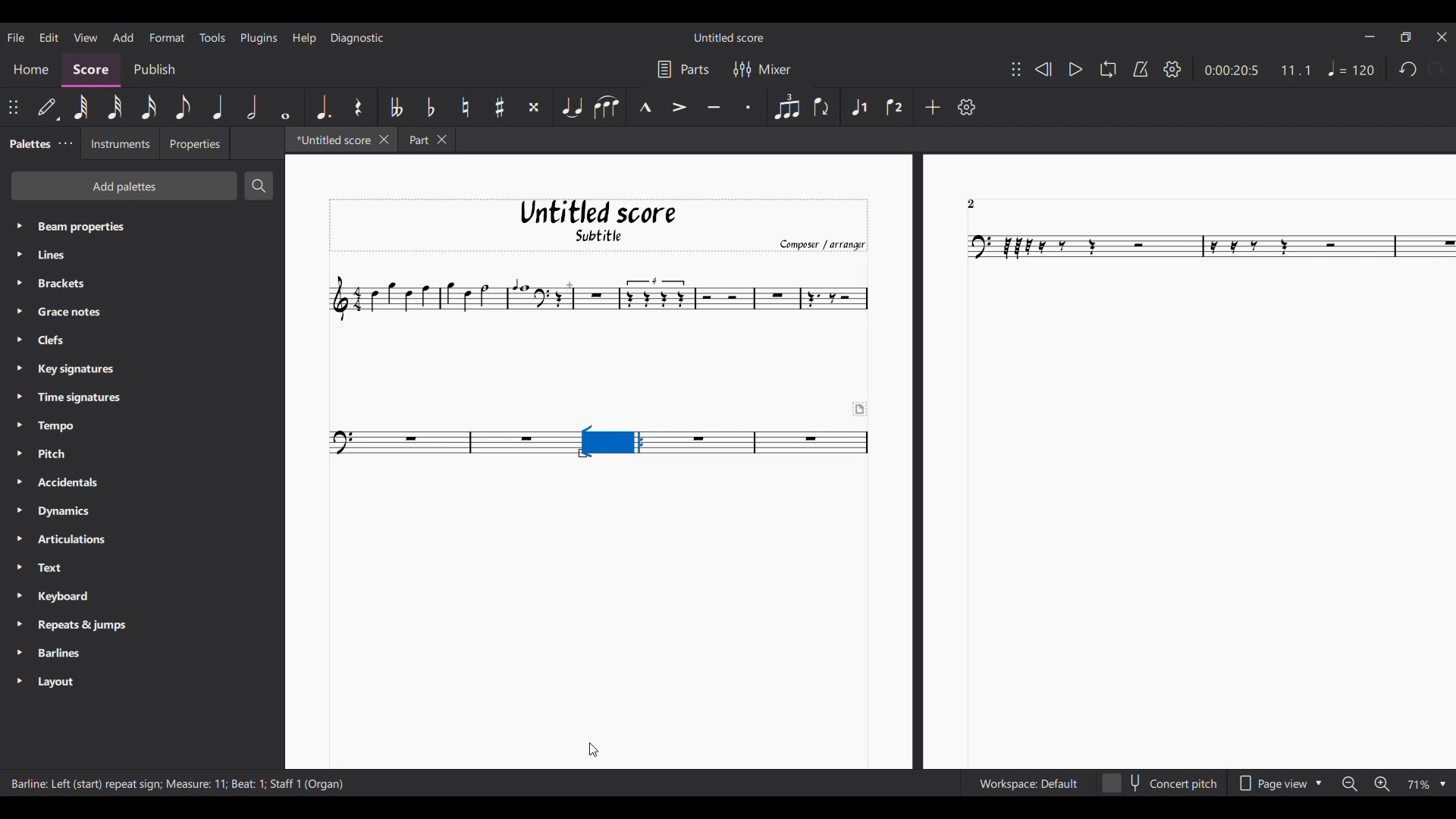  I want to click on Whole note, so click(286, 106).